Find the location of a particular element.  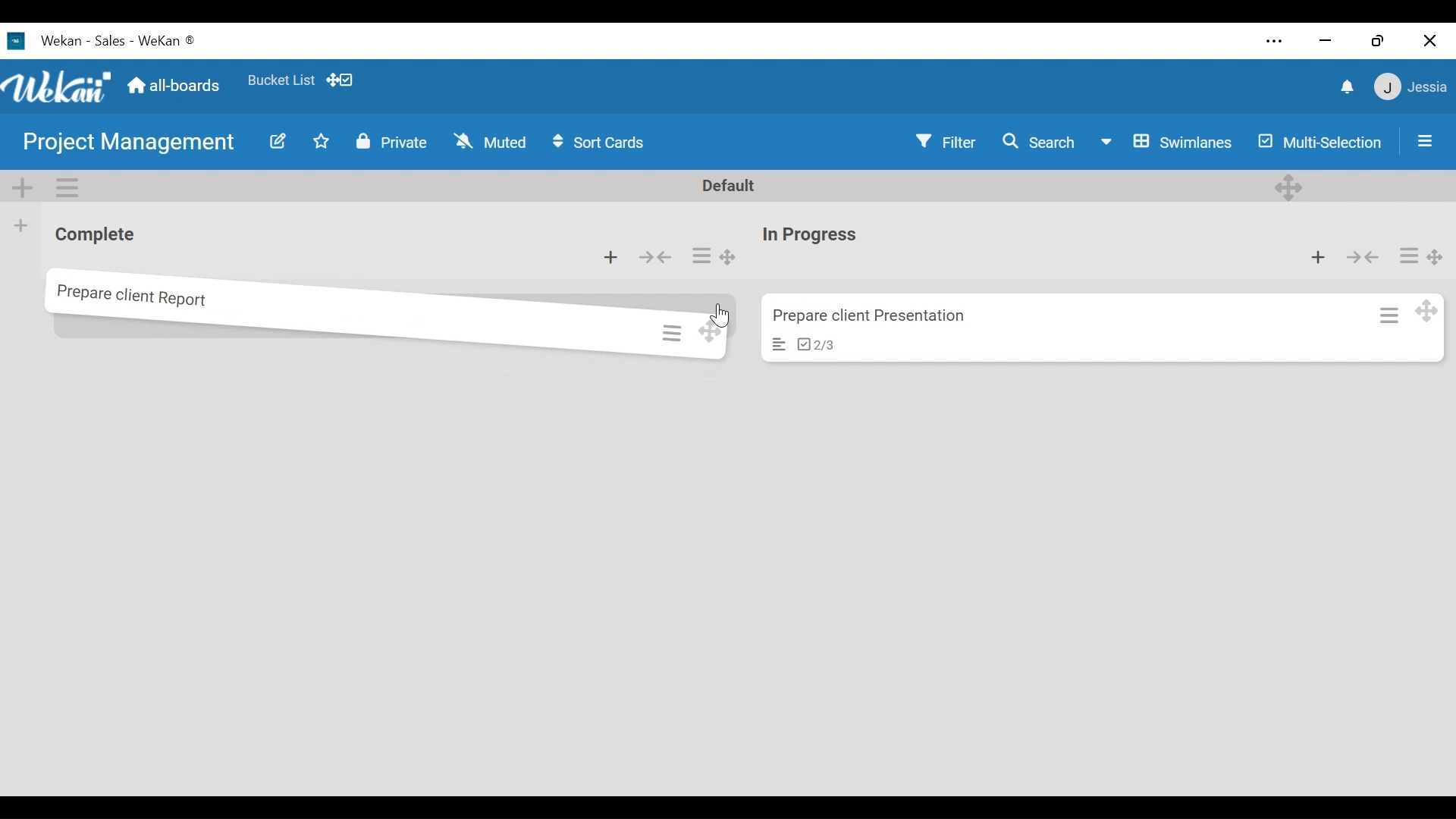

jessie is located at coordinates (1410, 87).